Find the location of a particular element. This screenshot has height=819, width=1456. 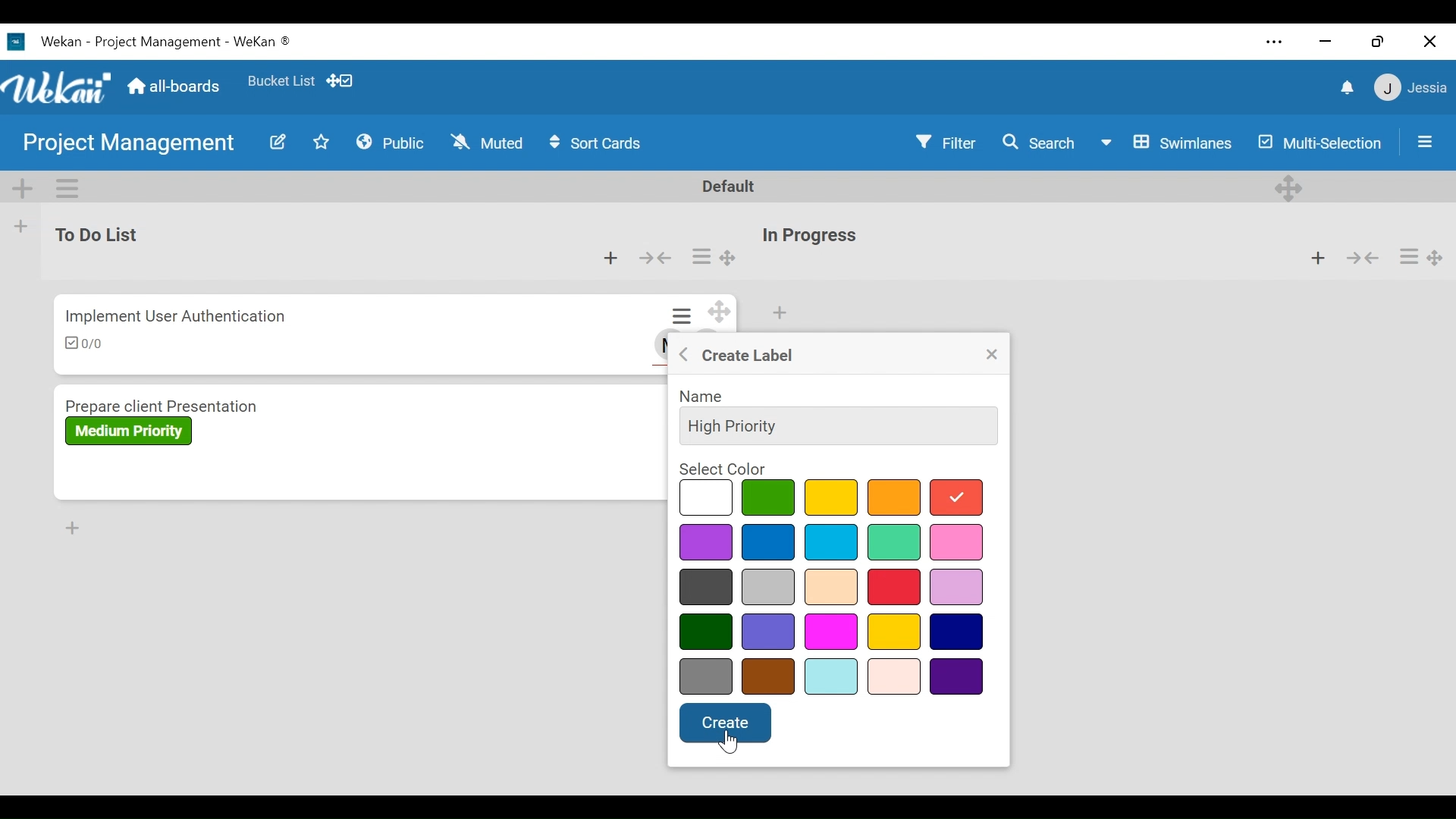

select color options is located at coordinates (833, 585).